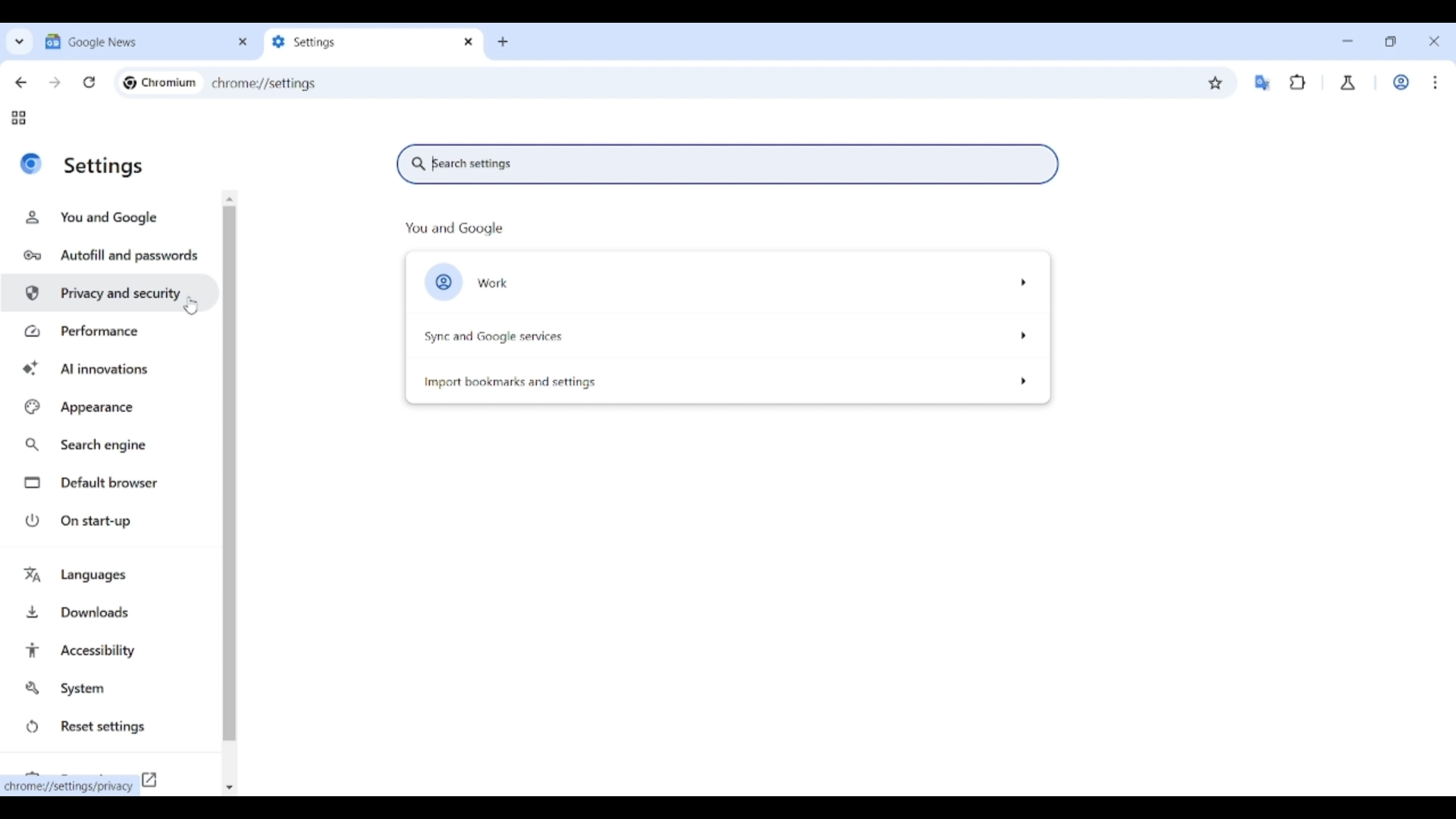 The width and height of the screenshot is (1456, 819). What do you see at coordinates (112, 520) in the screenshot?
I see `On start-up` at bounding box center [112, 520].